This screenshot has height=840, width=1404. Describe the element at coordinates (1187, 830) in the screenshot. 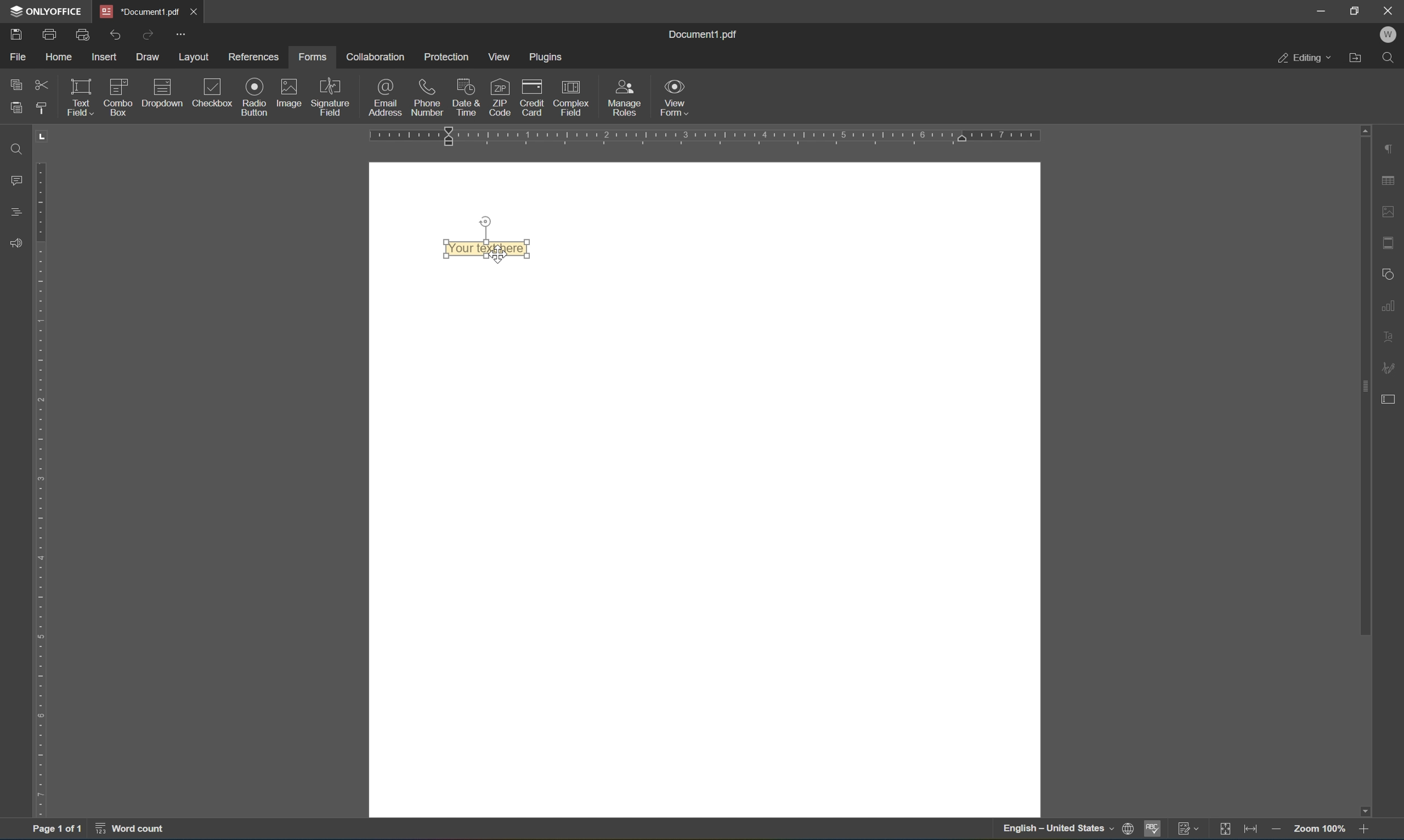

I see `track changes` at that location.